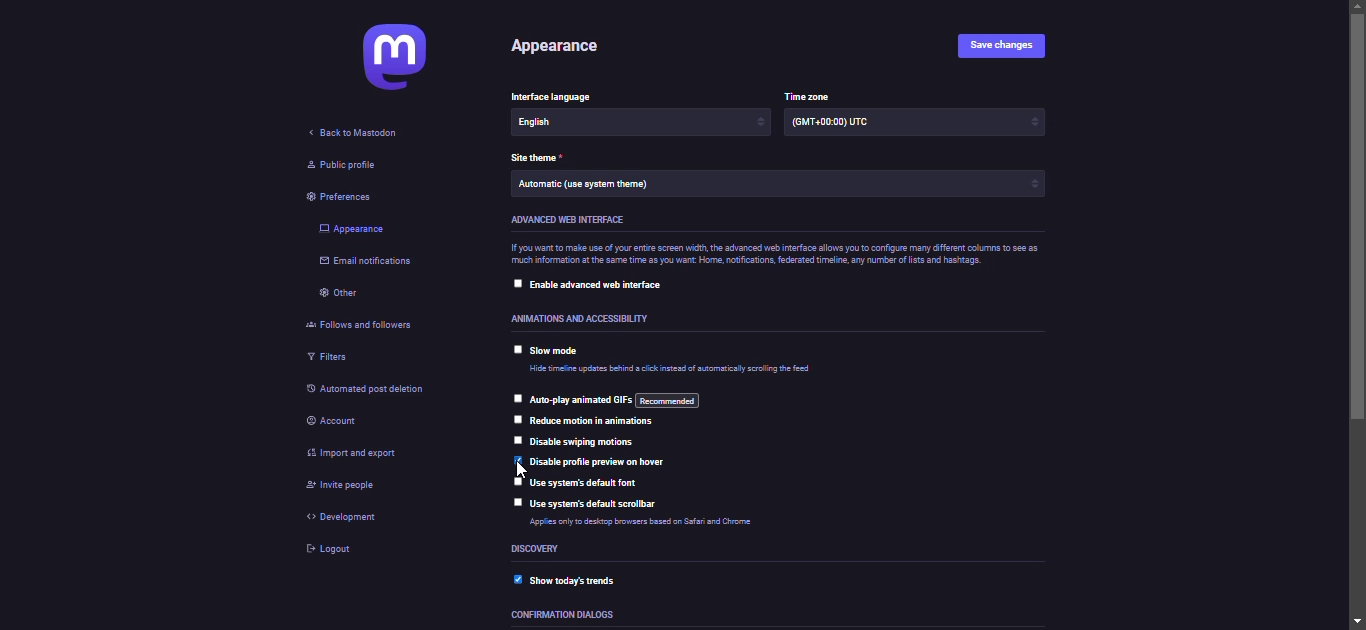  What do you see at coordinates (567, 615) in the screenshot?
I see `dialogs` at bounding box center [567, 615].